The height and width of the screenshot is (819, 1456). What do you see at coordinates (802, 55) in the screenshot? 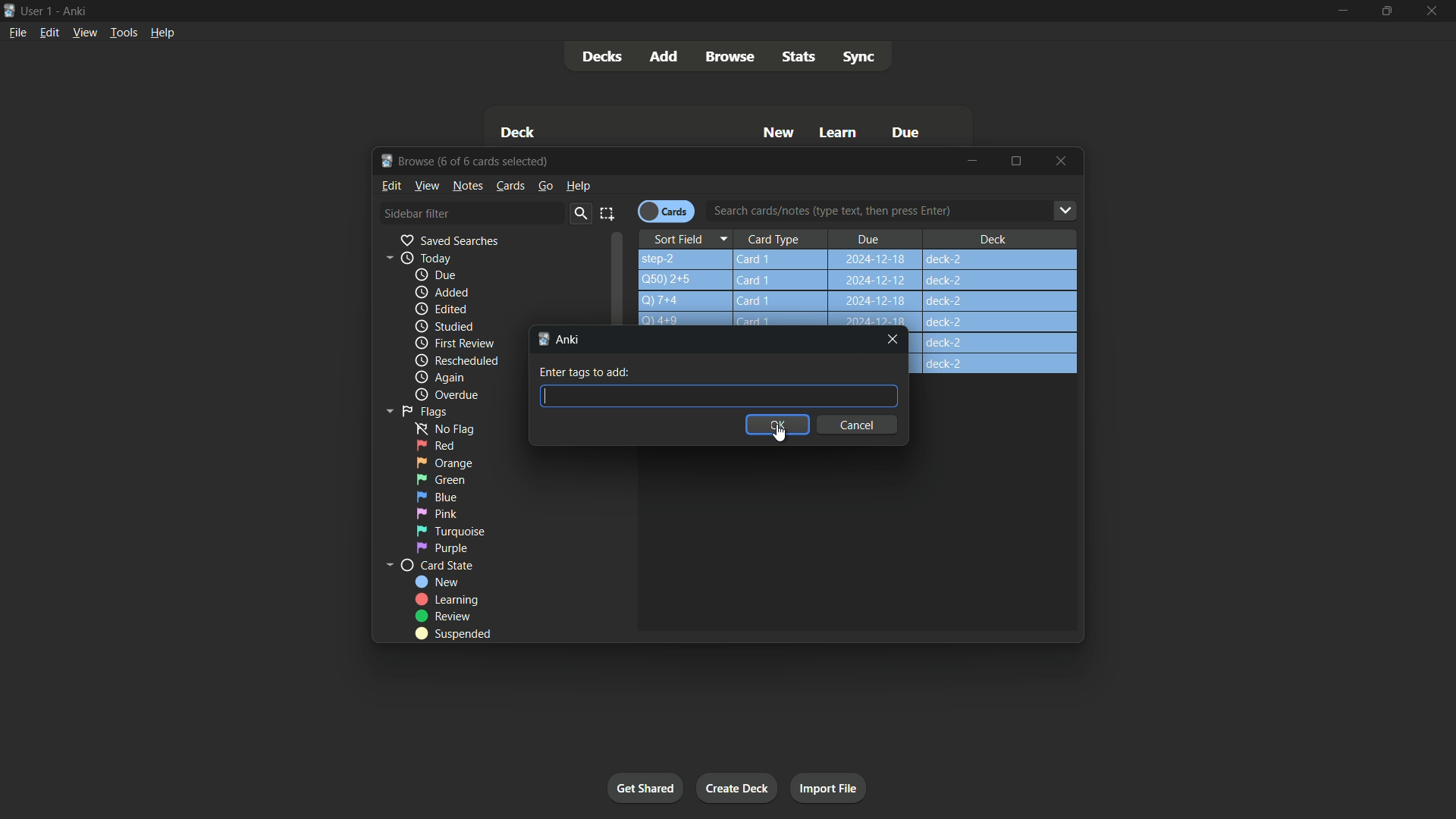
I see `stats` at bounding box center [802, 55].